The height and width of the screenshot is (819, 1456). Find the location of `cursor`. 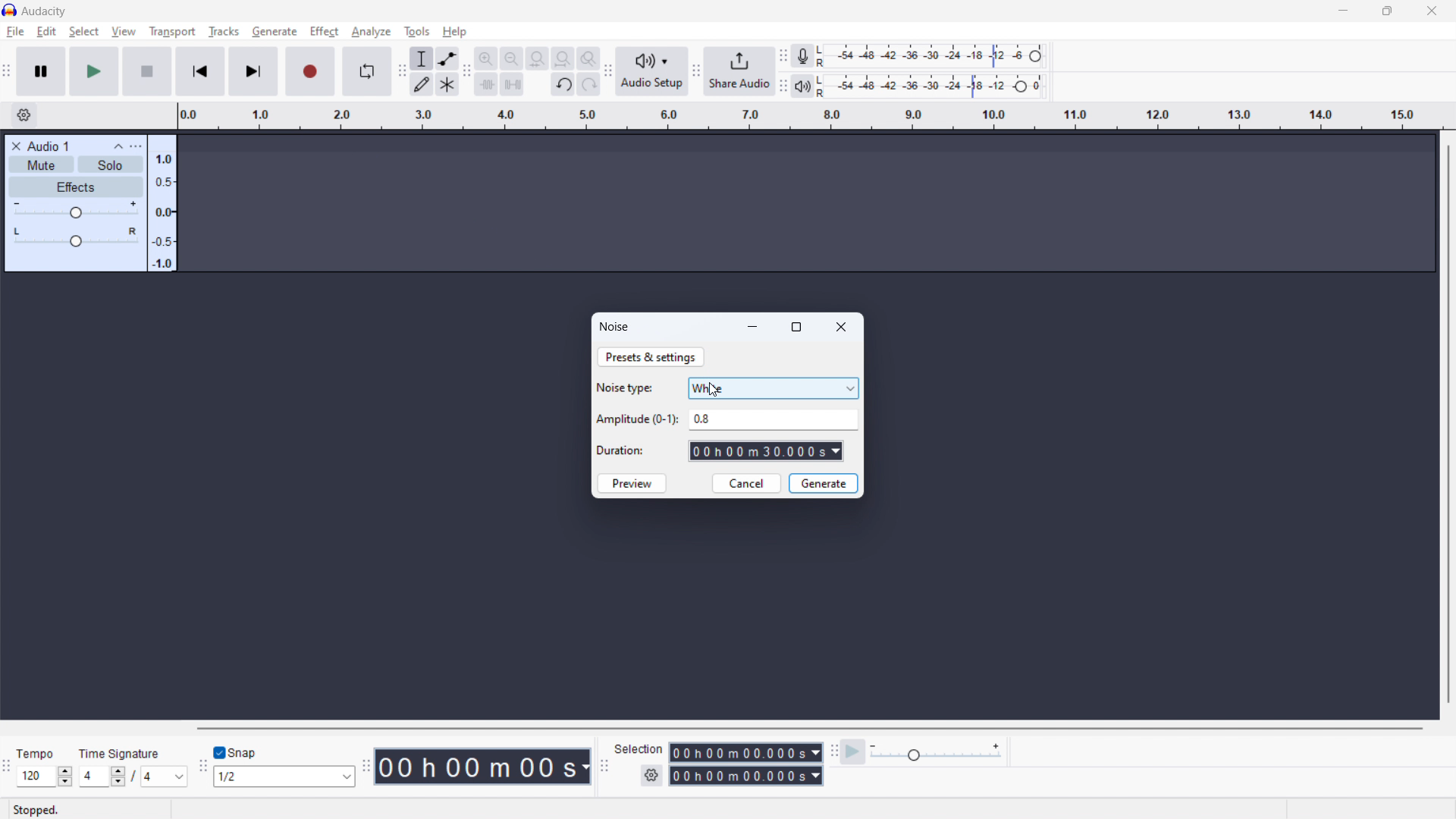

cursor is located at coordinates (714, 392).